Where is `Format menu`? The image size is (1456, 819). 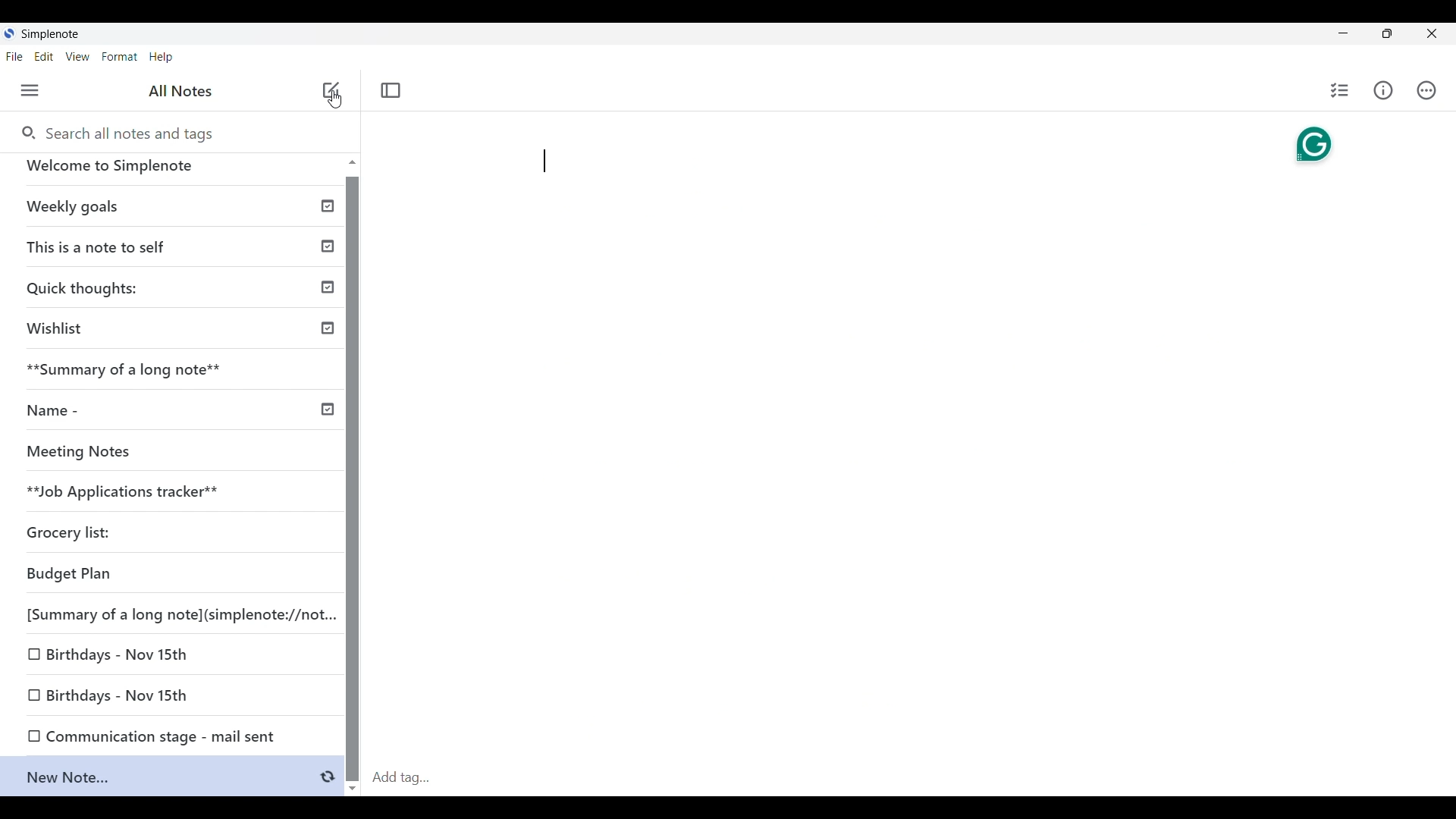 Format menu is located at coordinates (120, 57).